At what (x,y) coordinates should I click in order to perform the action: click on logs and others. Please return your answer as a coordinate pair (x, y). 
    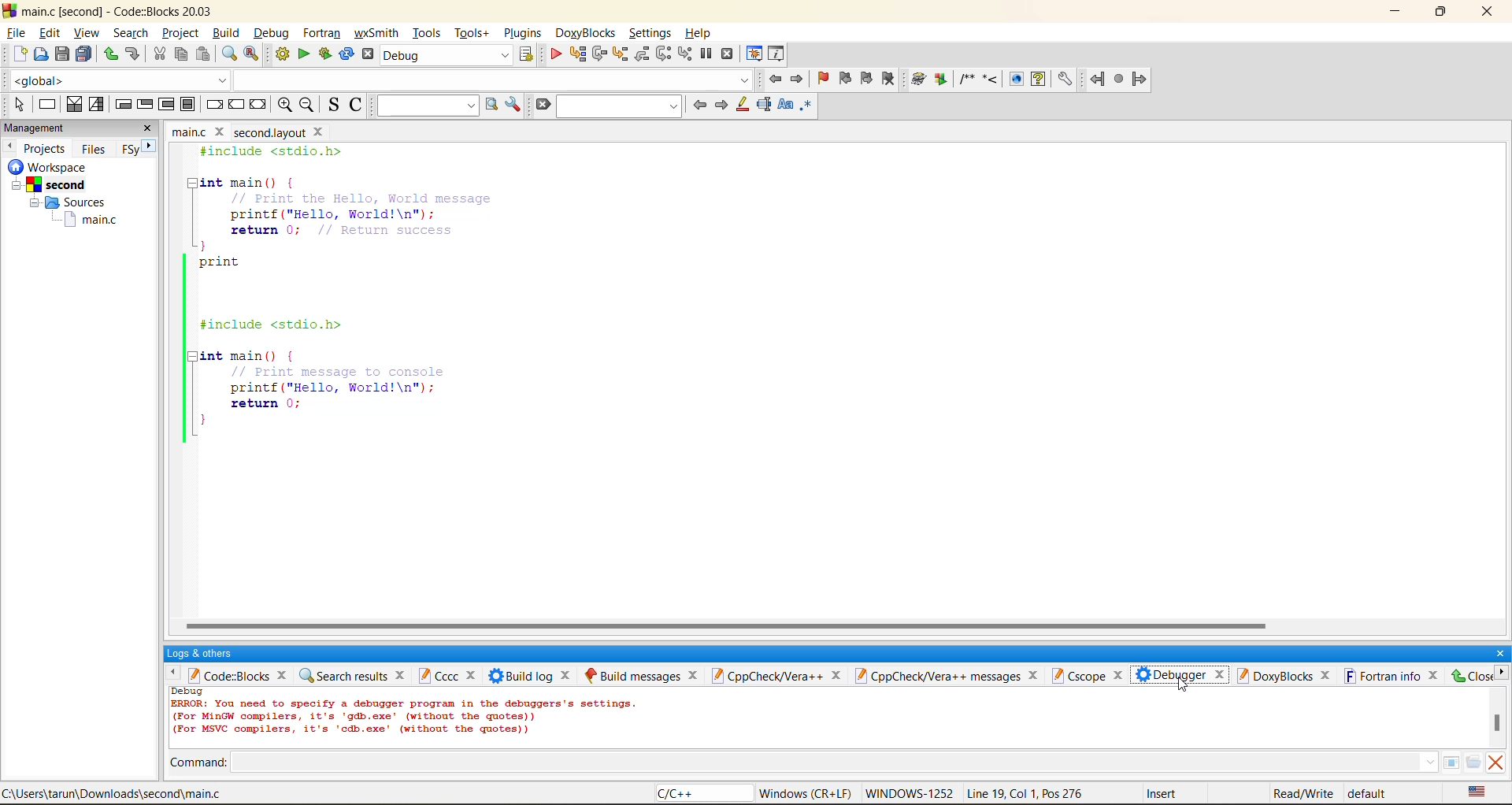
    Looking at the image, I should click on (203, 653).